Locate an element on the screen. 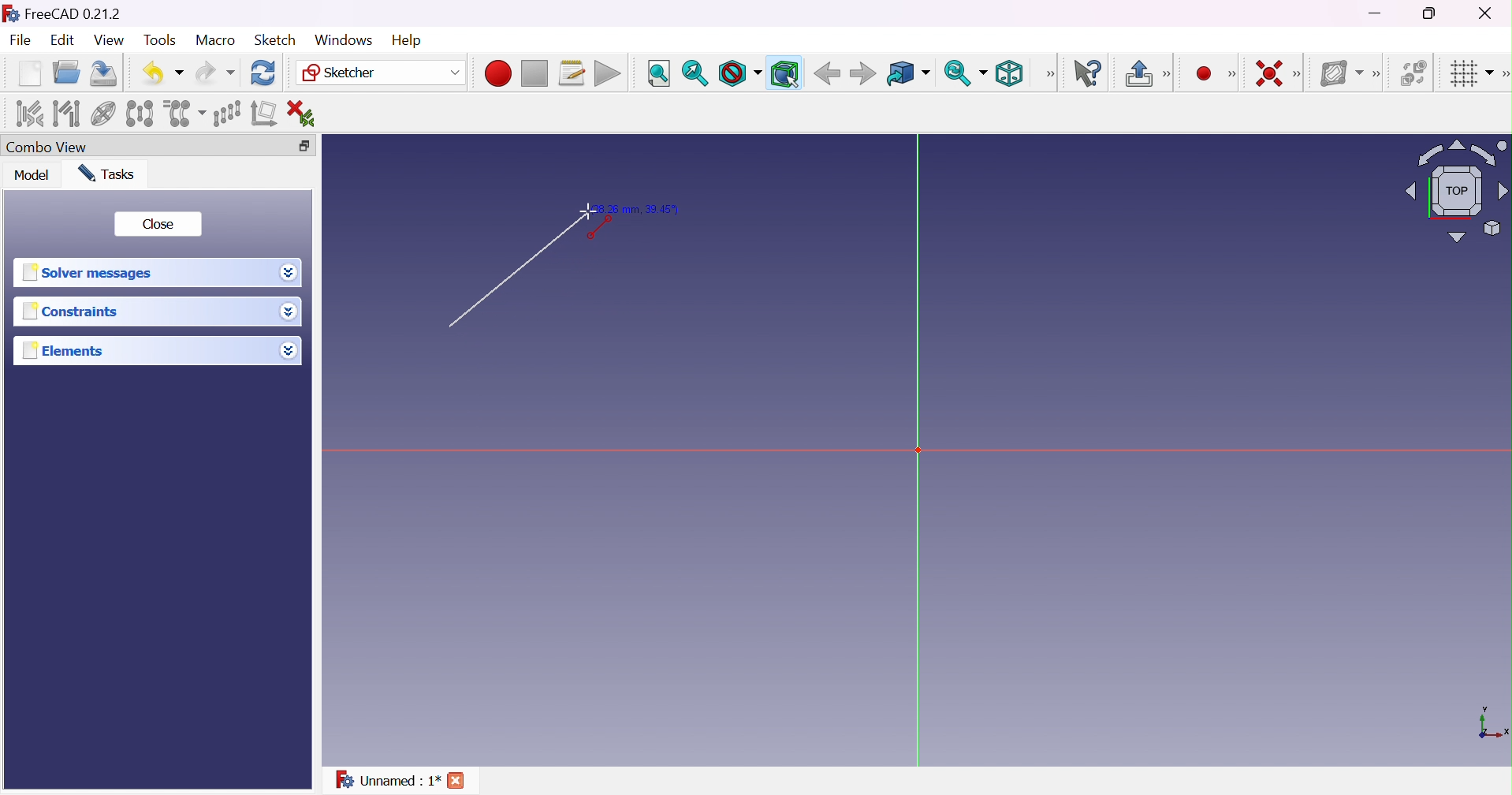 The image size is (1512, 795). Combo view is located at coordinates (50, 147).